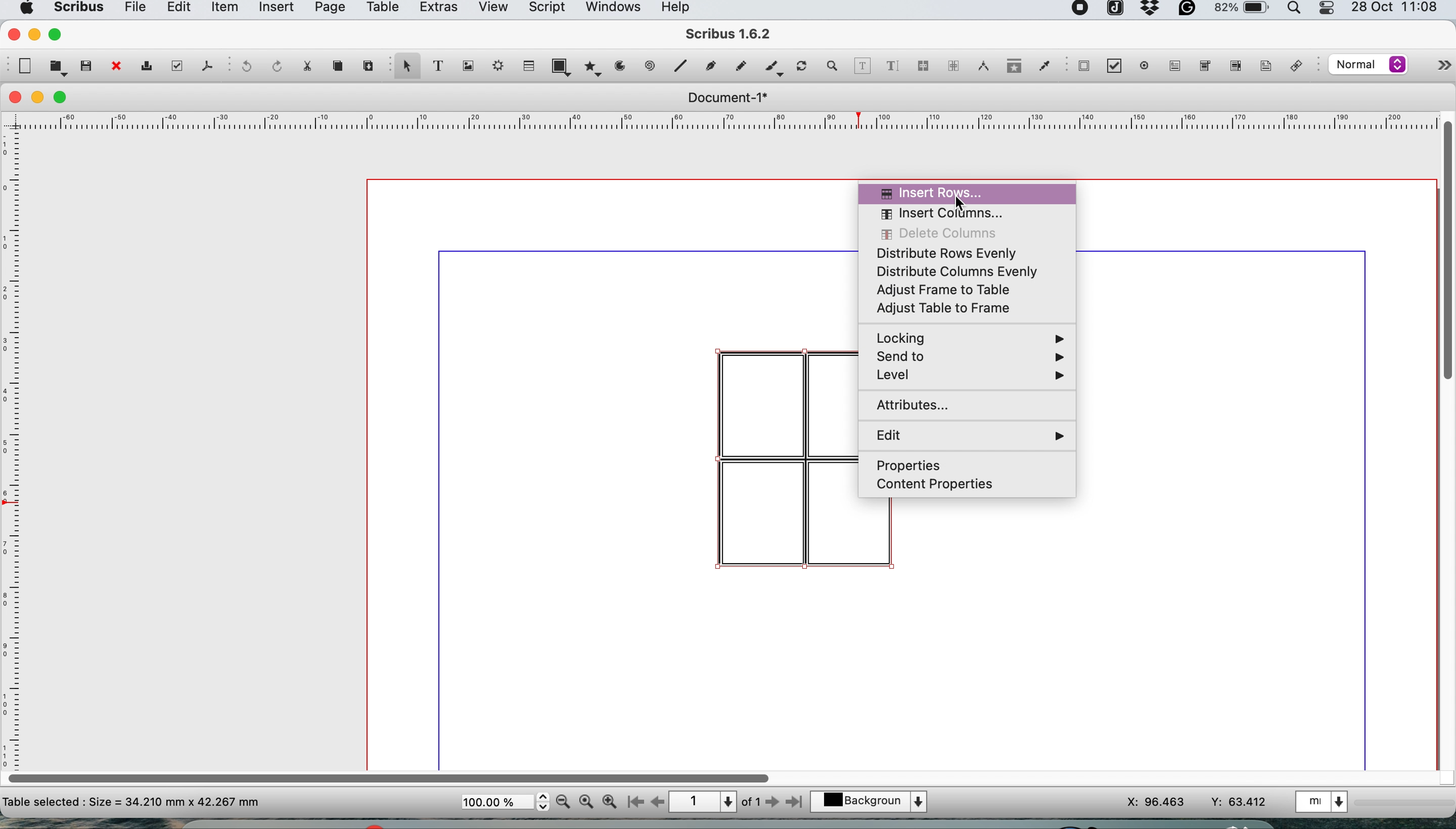  What do you see at coordinates (58, 67) in the screenshot?
I see `open` at bounding box center [58, 67].